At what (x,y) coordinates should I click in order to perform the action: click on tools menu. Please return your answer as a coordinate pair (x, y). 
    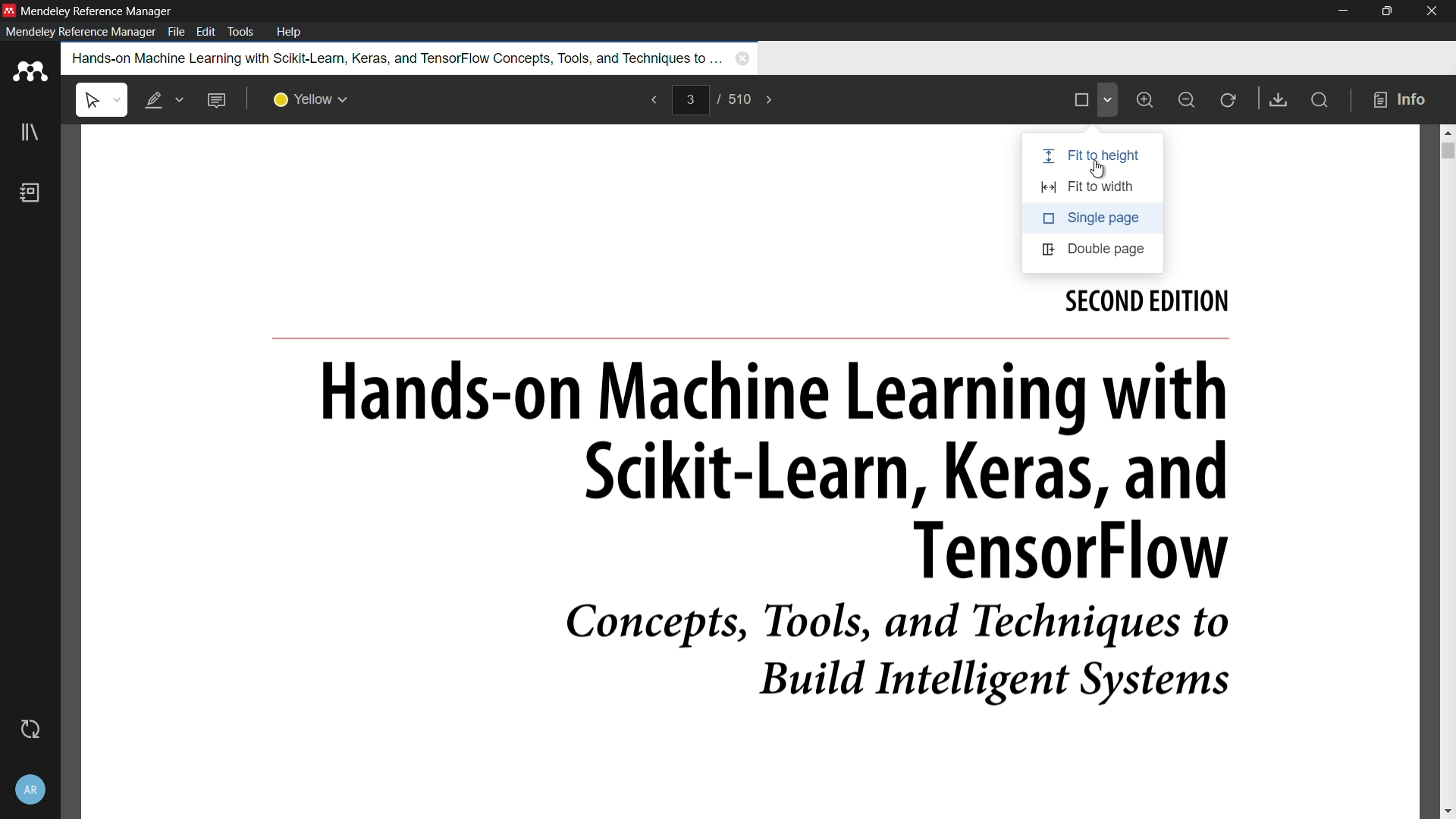
    Looking at the image, I should click on (243, 32).